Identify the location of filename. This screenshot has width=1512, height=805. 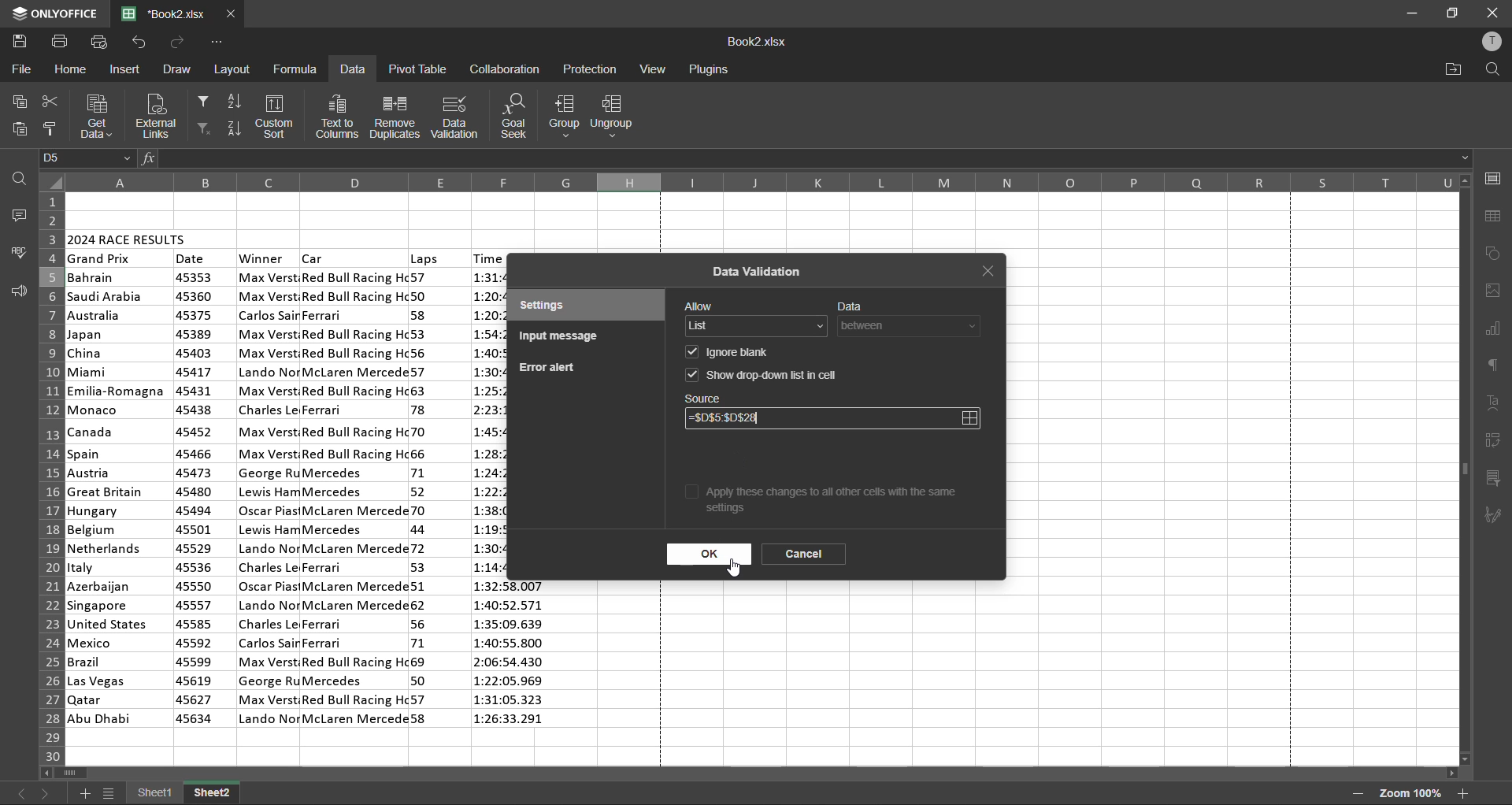
(169, 13).